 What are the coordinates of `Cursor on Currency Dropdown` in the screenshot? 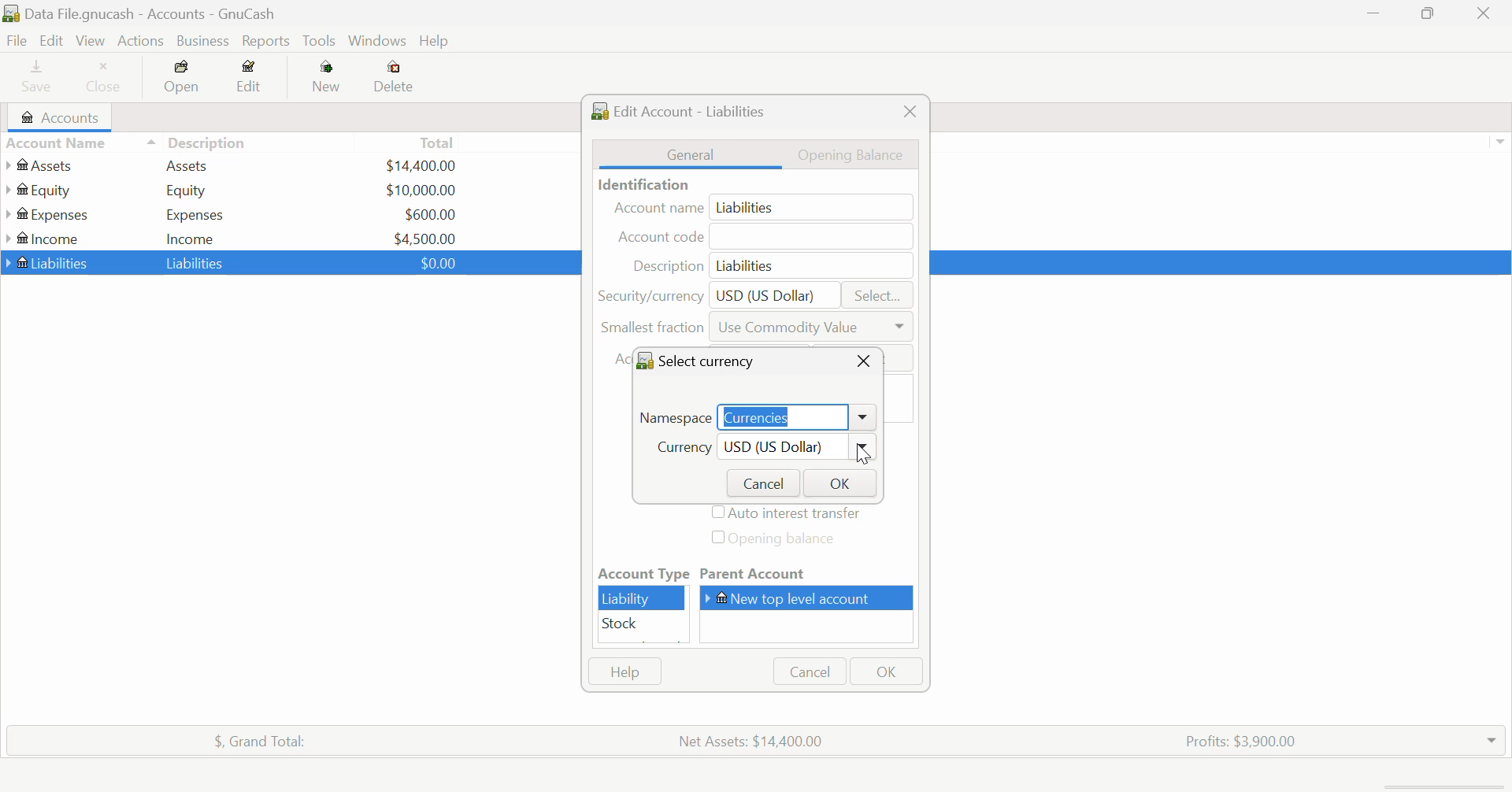 It's located at (863, 450).